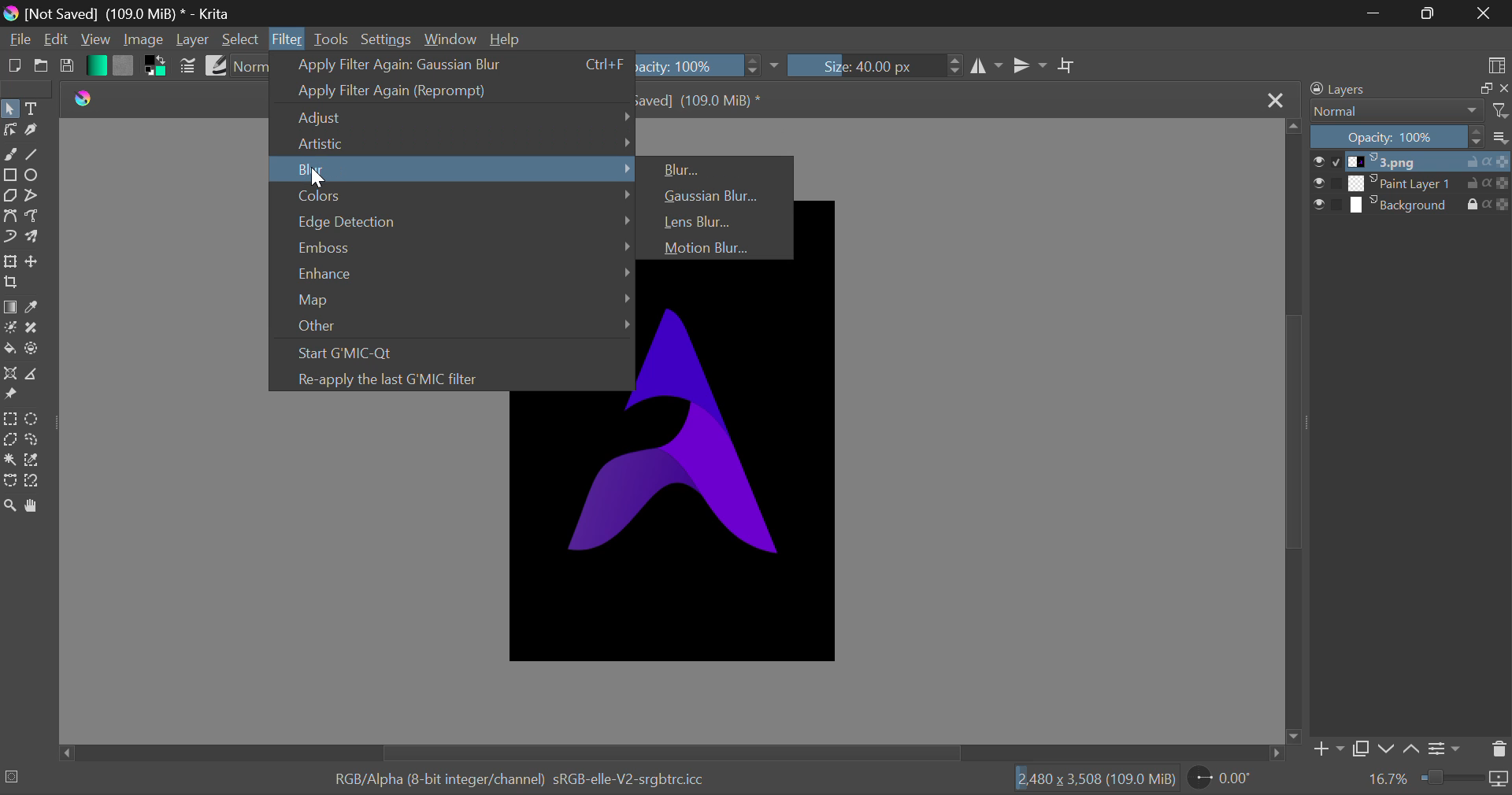 Image resolution: width=1512 pixels, height=795 pixels. Describe the element at coordinates (1465, 779) in the screenshot. I see `zoom slider` at that location.